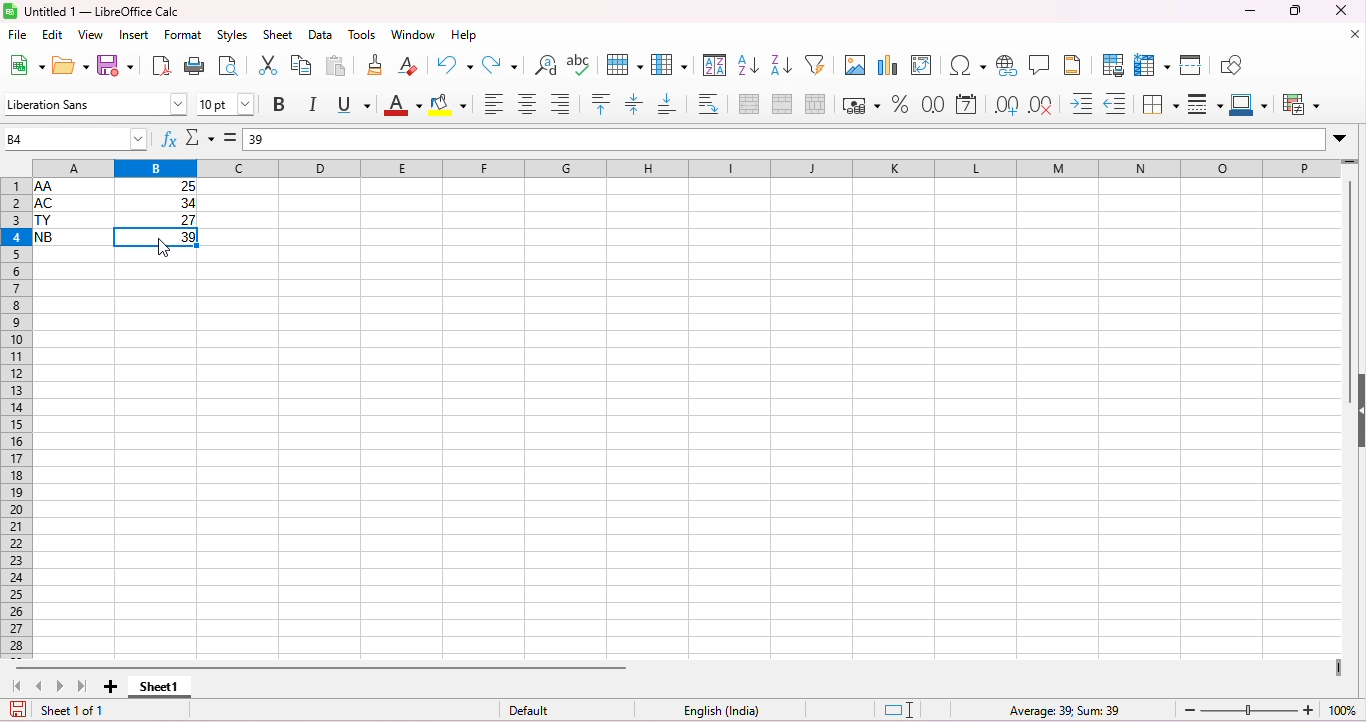 The height and width of the screenshot is (722, 1366). Describe the element at coordinates (819, 64) in the screenshot. I see `filter` at that location.